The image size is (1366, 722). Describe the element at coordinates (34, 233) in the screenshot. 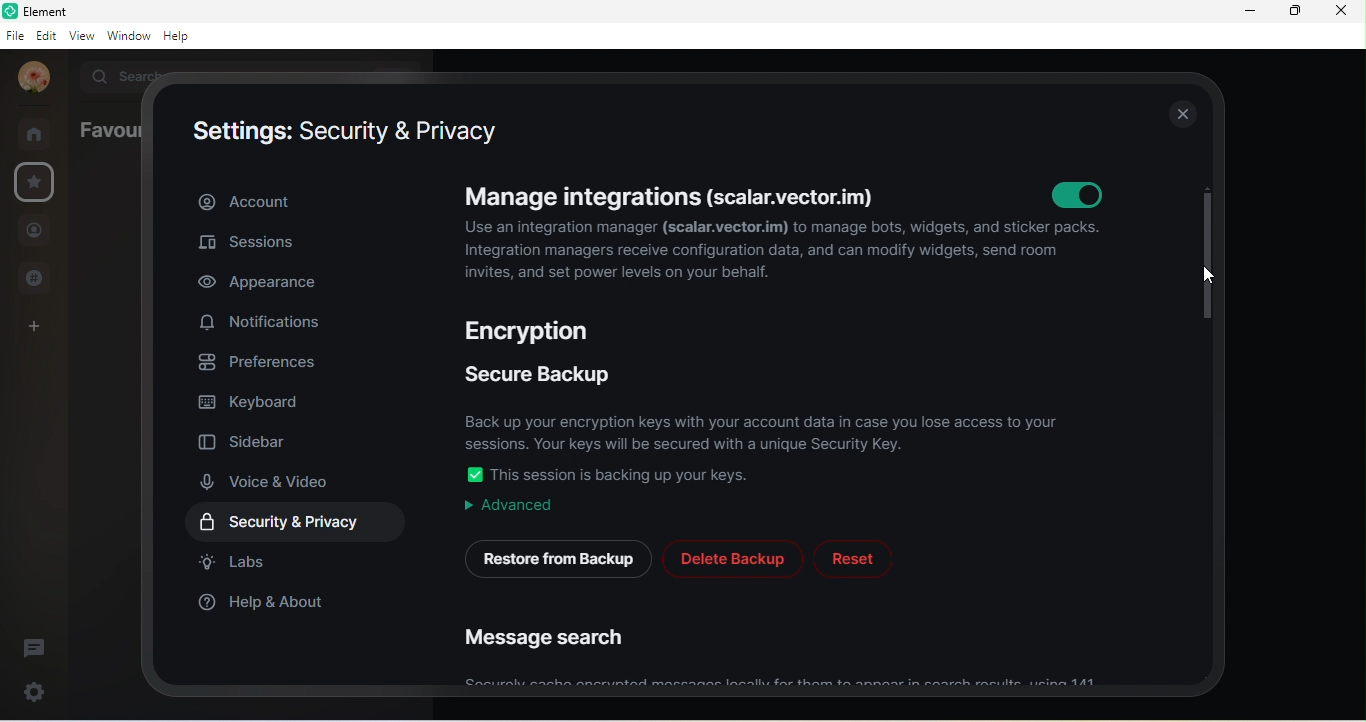

I see `people` at that location.